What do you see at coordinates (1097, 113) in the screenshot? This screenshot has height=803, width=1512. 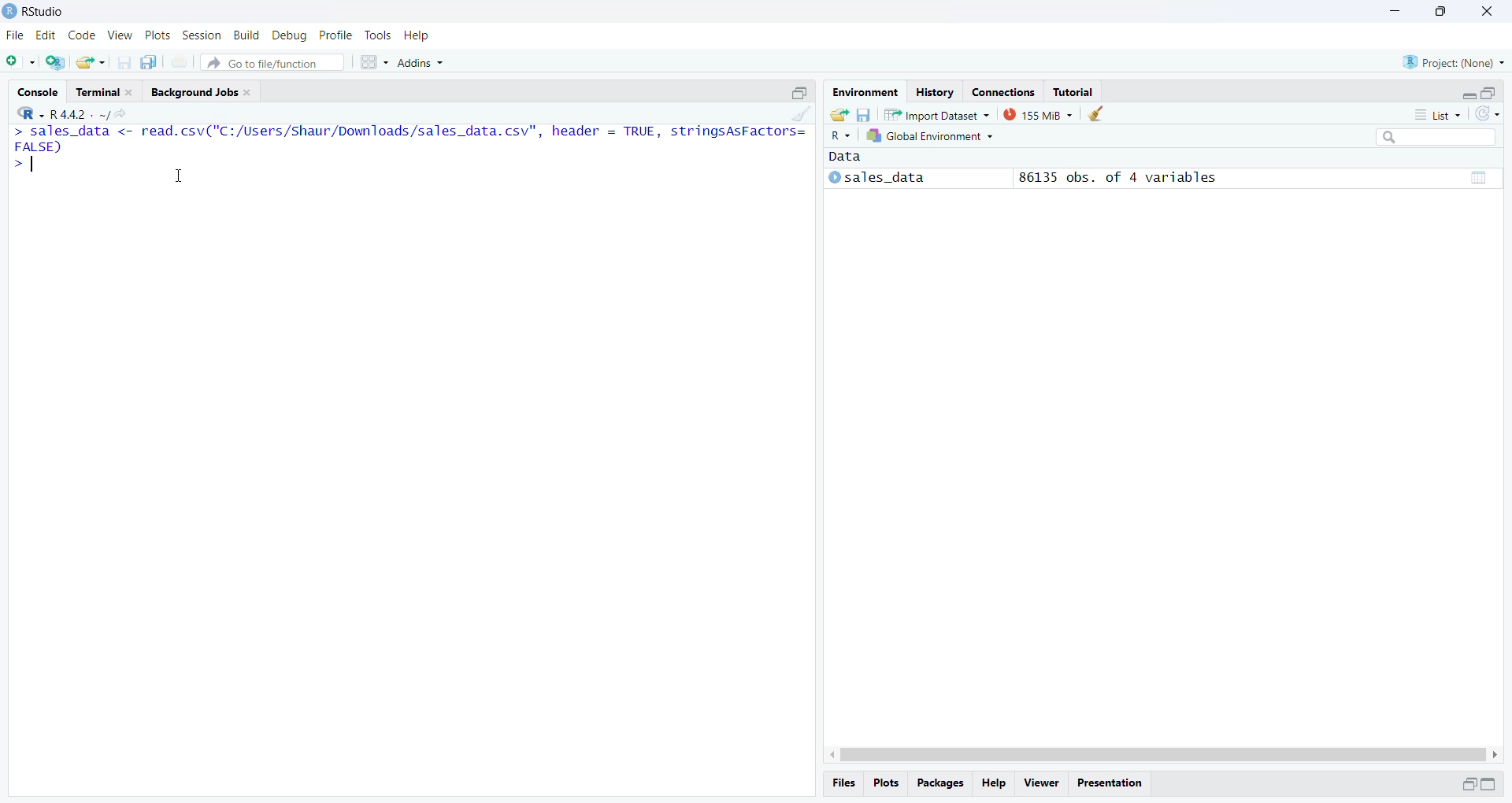 I see `Clear work from the workspace` at bounding box center [1097, 113].